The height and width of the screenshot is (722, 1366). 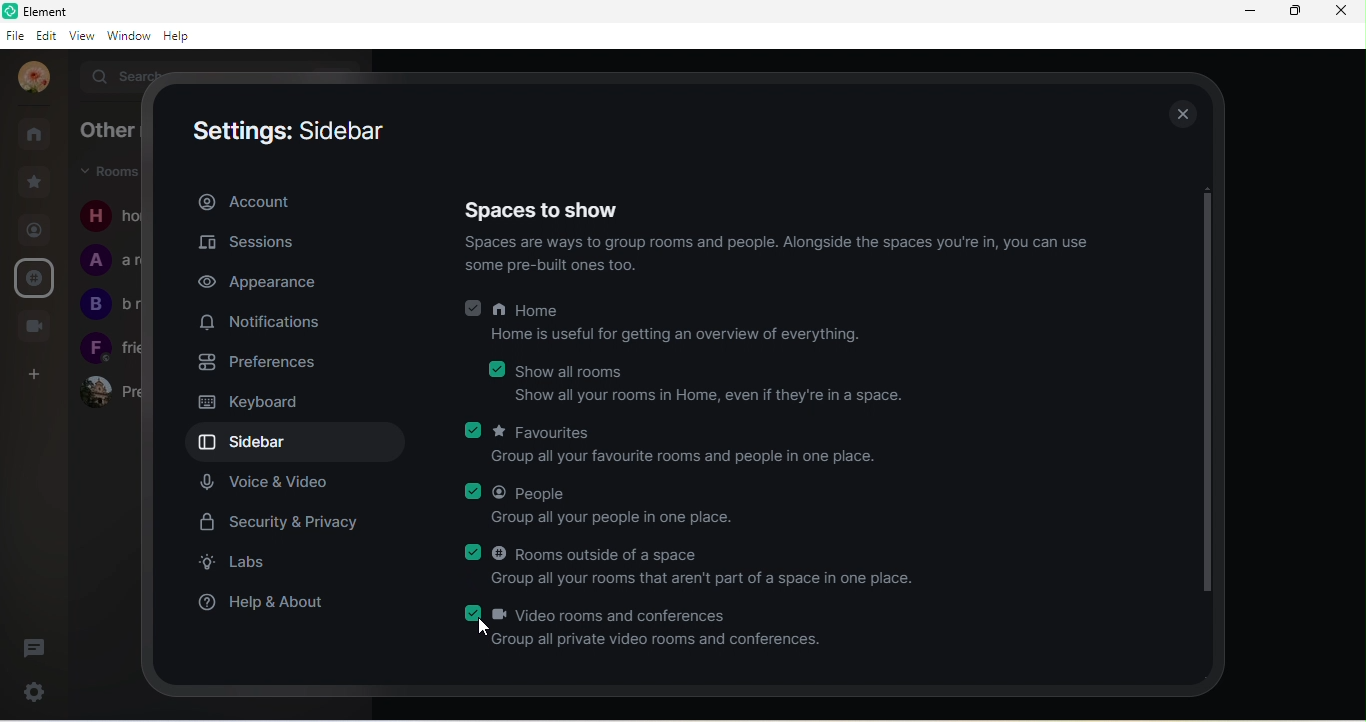 I want to click on text, so click(x=109, y=285).